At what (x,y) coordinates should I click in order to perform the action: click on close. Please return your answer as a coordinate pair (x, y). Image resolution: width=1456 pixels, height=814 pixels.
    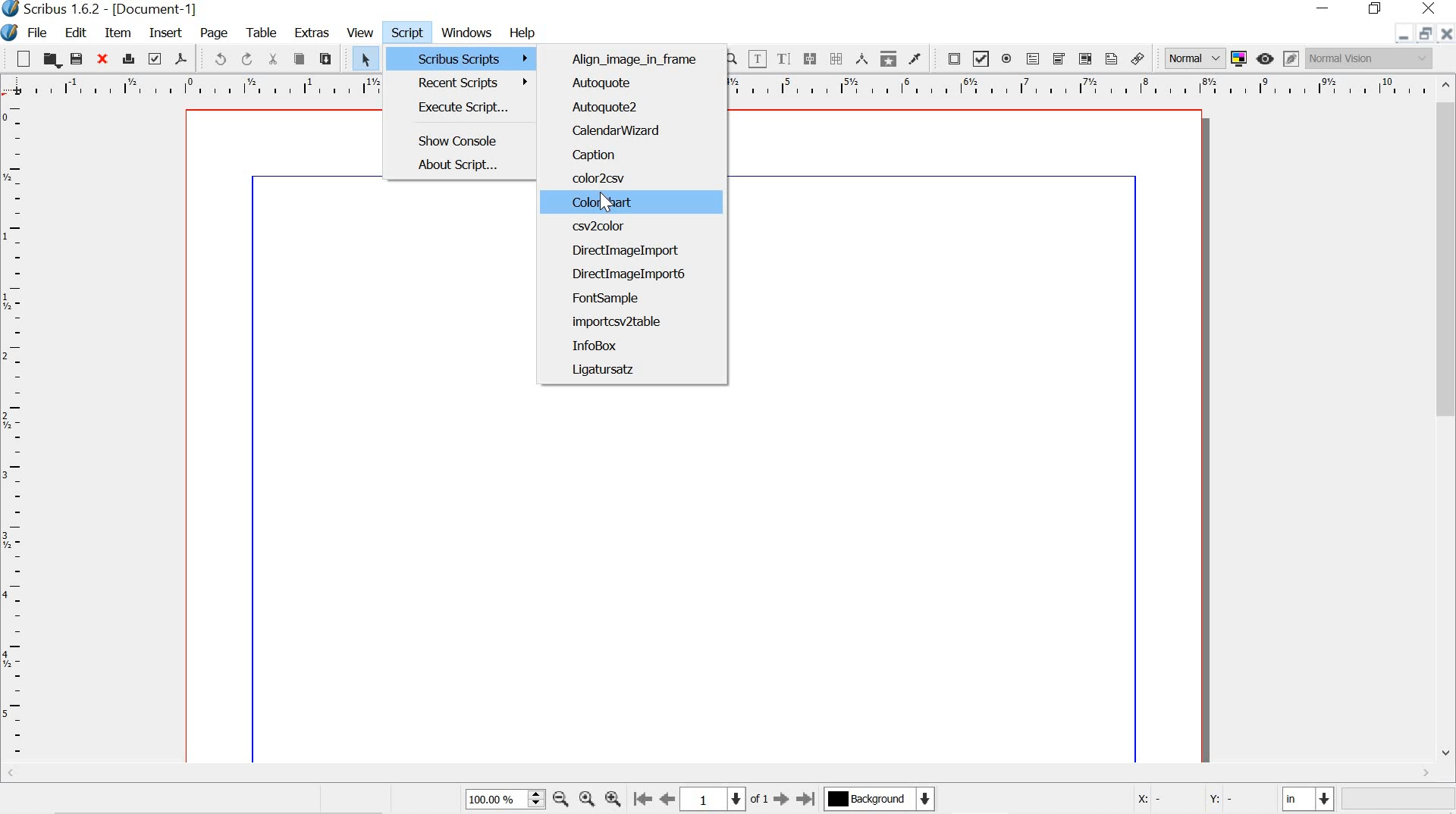
    Looking at the image, I should click on (101, 60).